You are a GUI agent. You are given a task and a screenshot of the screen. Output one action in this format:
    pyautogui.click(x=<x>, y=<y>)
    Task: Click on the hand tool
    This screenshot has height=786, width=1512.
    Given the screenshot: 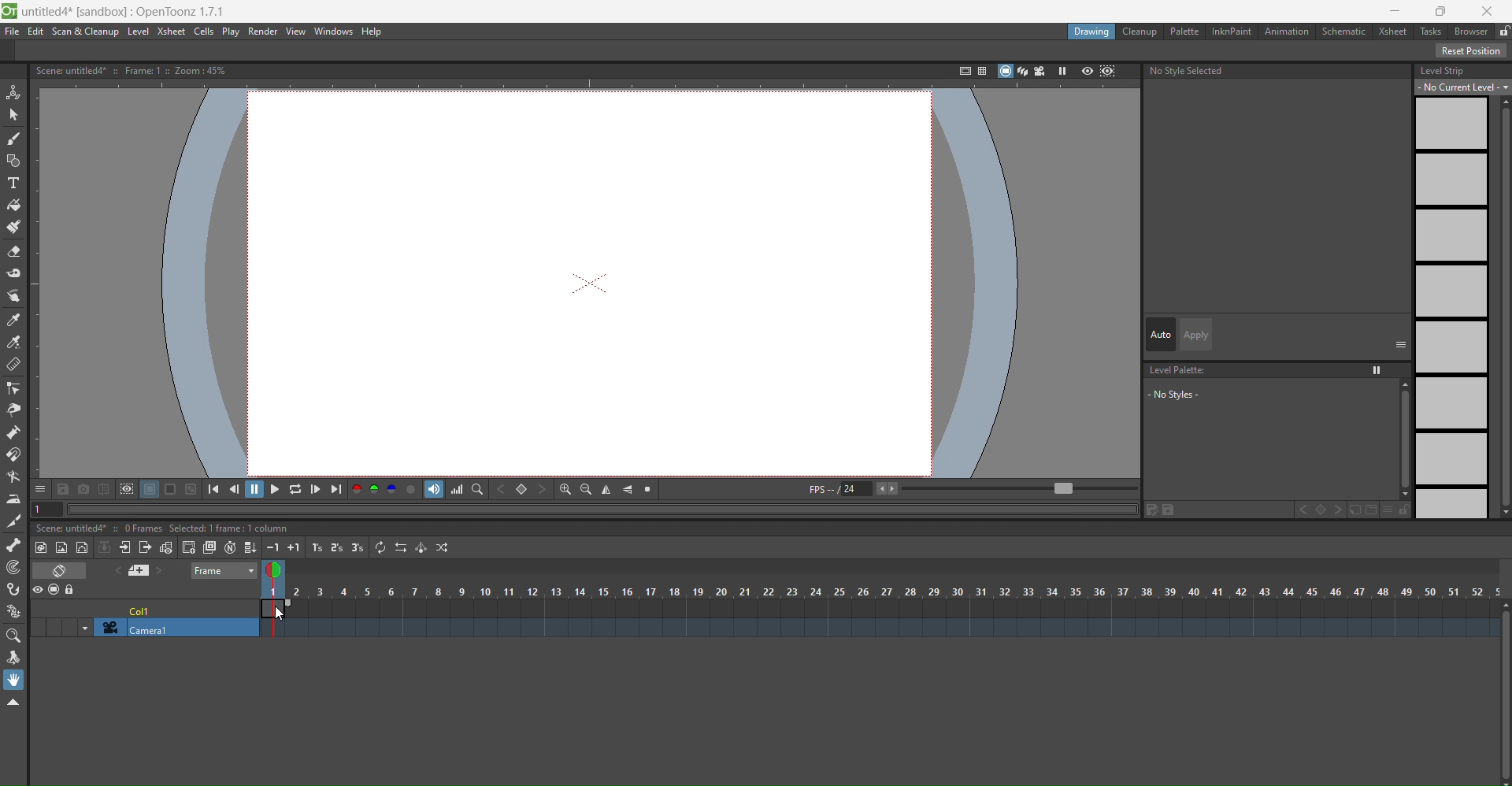 What is the action you would take?
    pyautogui.click(x=14, y=680)
    